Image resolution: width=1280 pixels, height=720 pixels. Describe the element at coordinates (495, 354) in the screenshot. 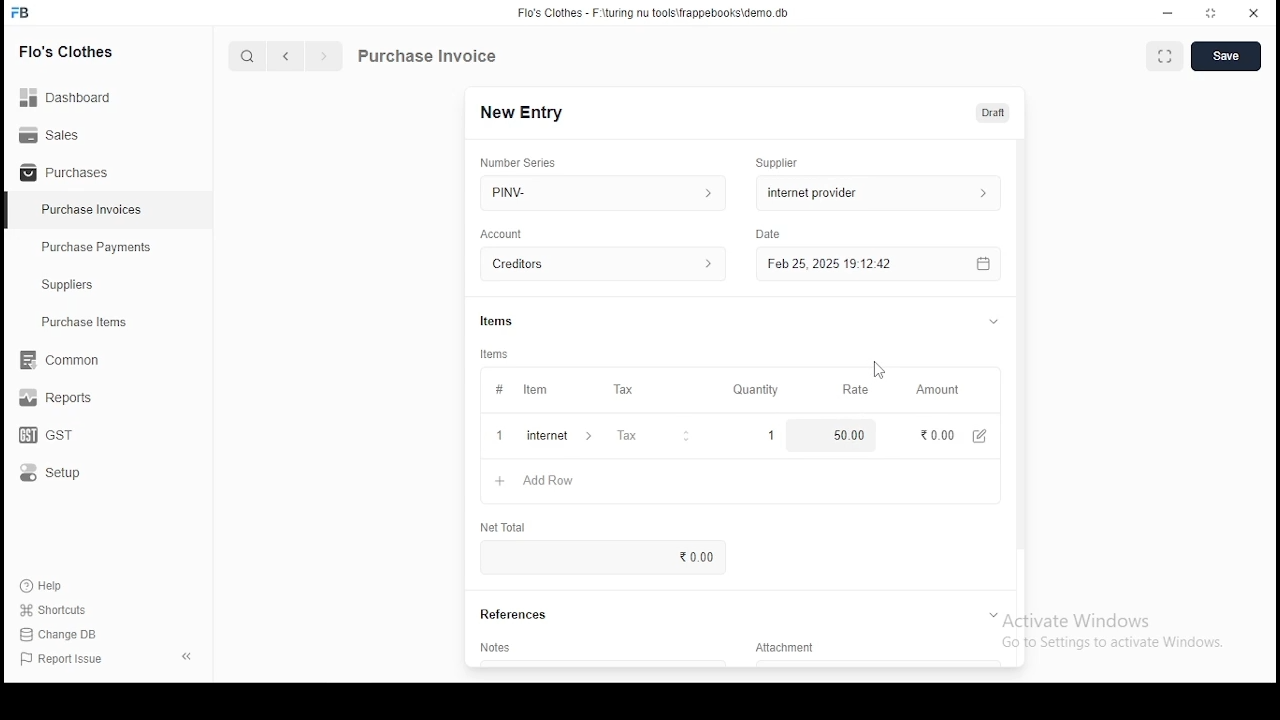

I see `Items` at that location.